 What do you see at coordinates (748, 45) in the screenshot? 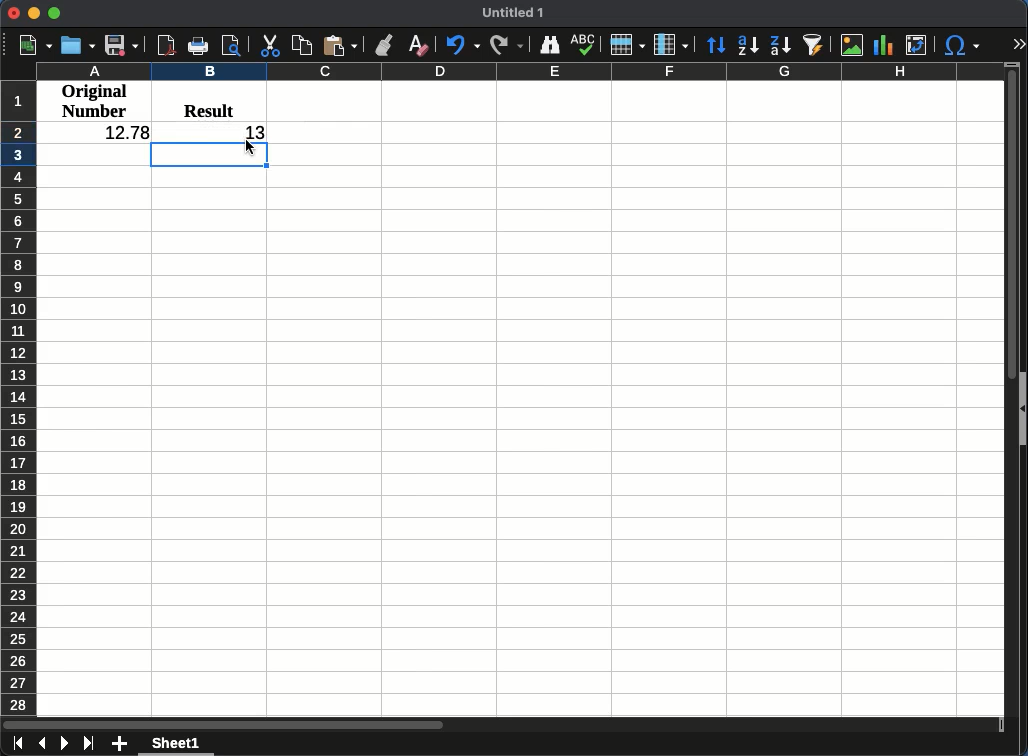
I see `ascending` at bounding box center [748, 45].